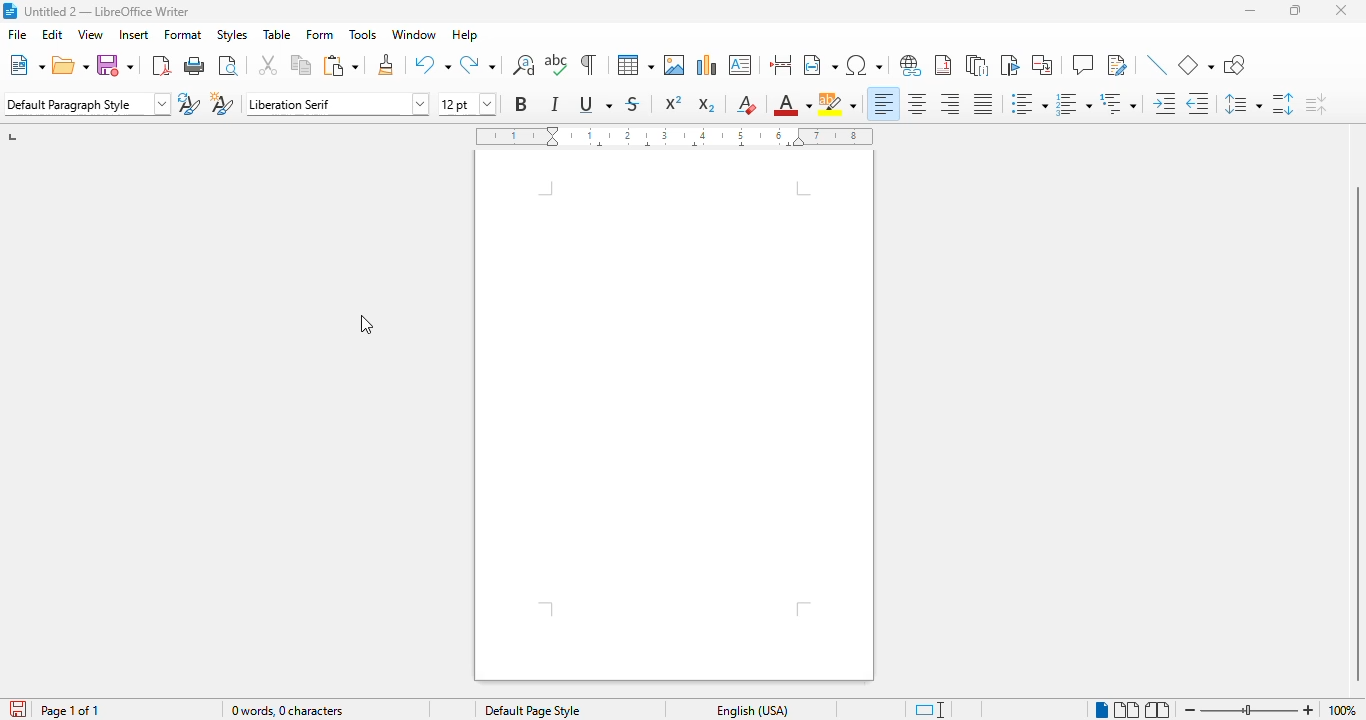 The image size is (1366, 720). Describe the element at coordinates (230, 66) in the screenshot. I see `toggle print preview` at that location.